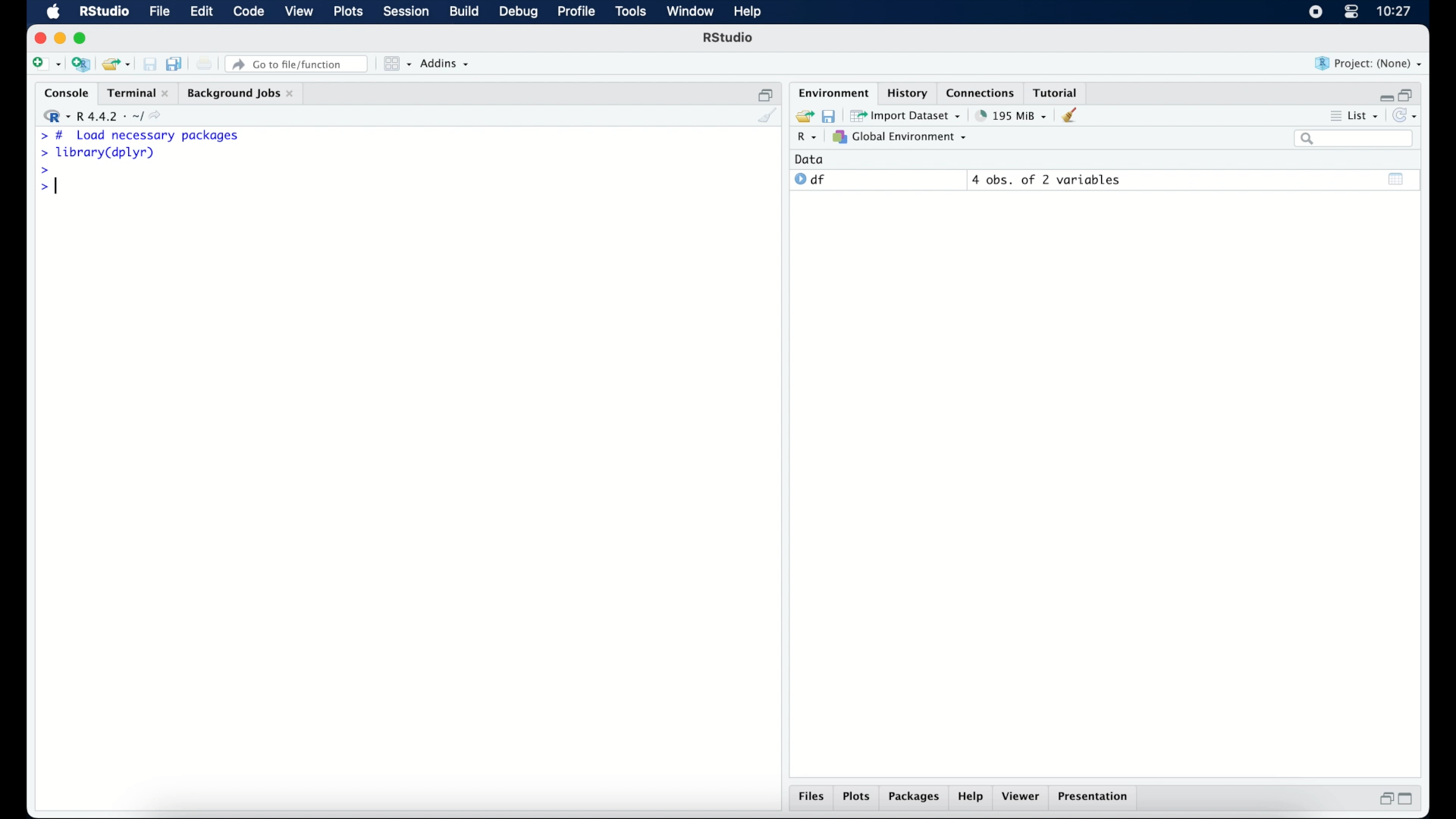  I want to click on workspace panes, so click(396, 64).